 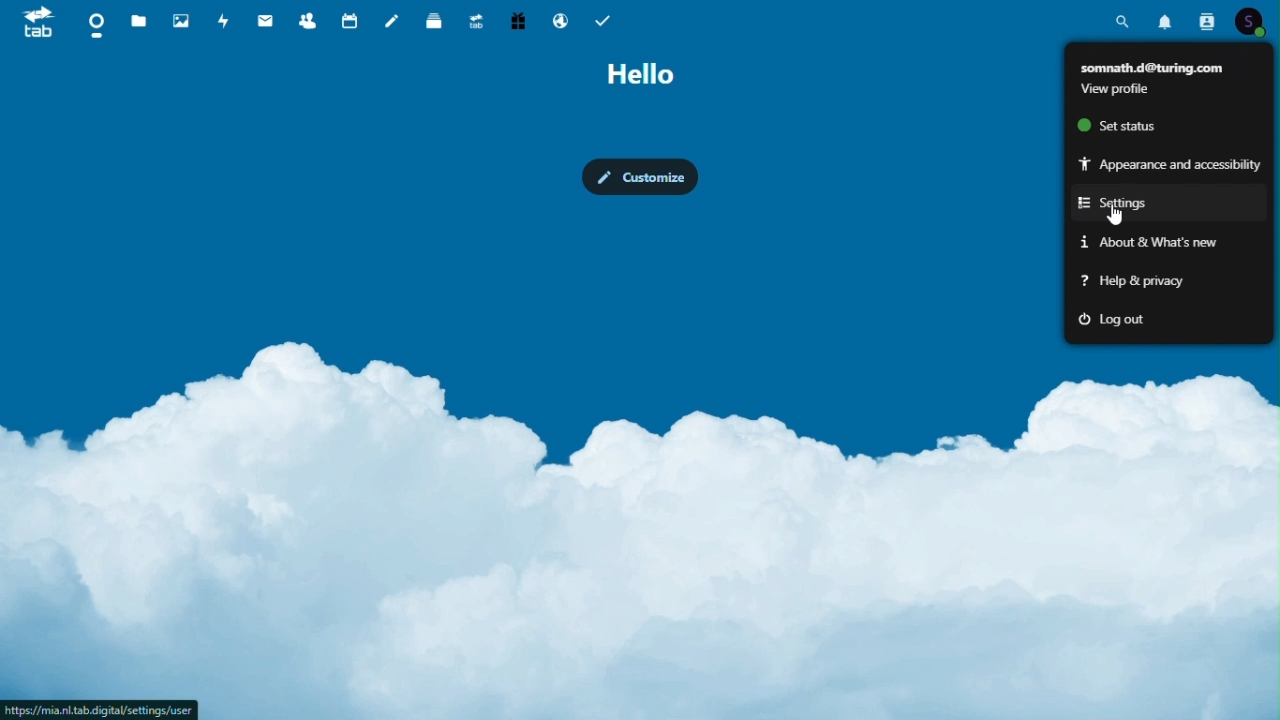 I want to click on task, so click(x=603, y=18).